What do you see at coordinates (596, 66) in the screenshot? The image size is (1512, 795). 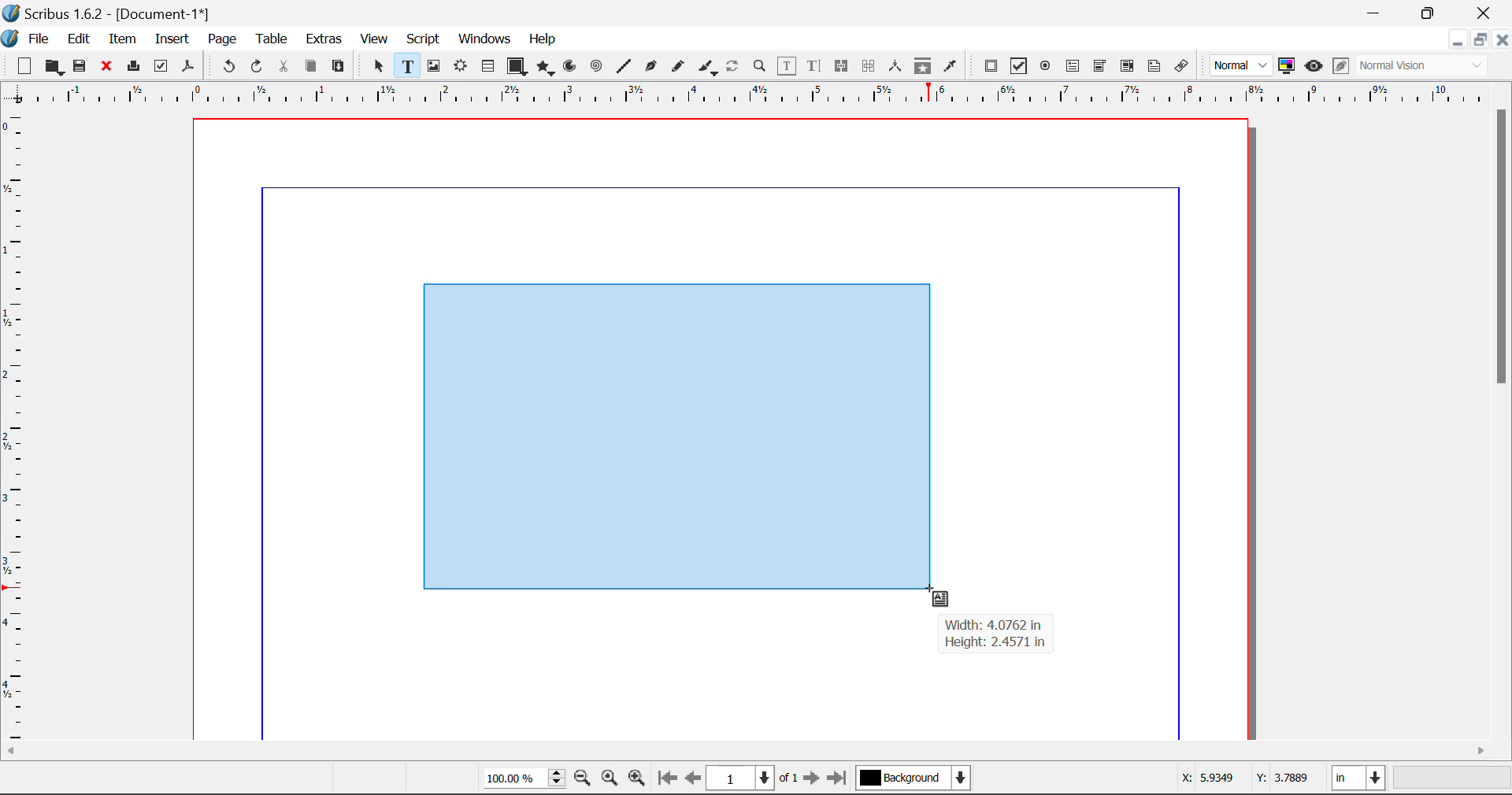 I see `Spiral` at bounding box center [596, 66].